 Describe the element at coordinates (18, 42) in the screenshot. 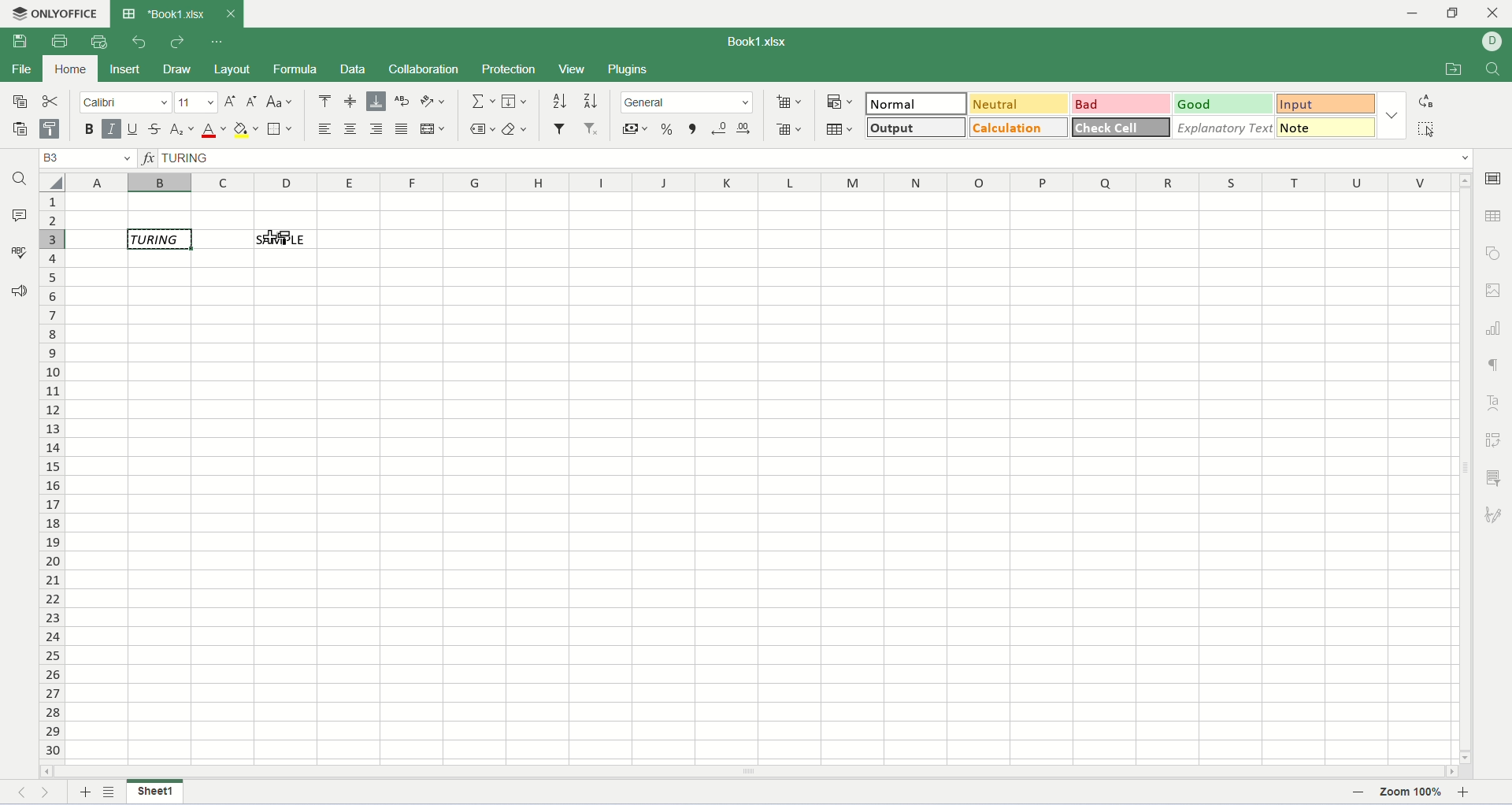

I see `save` at that location.